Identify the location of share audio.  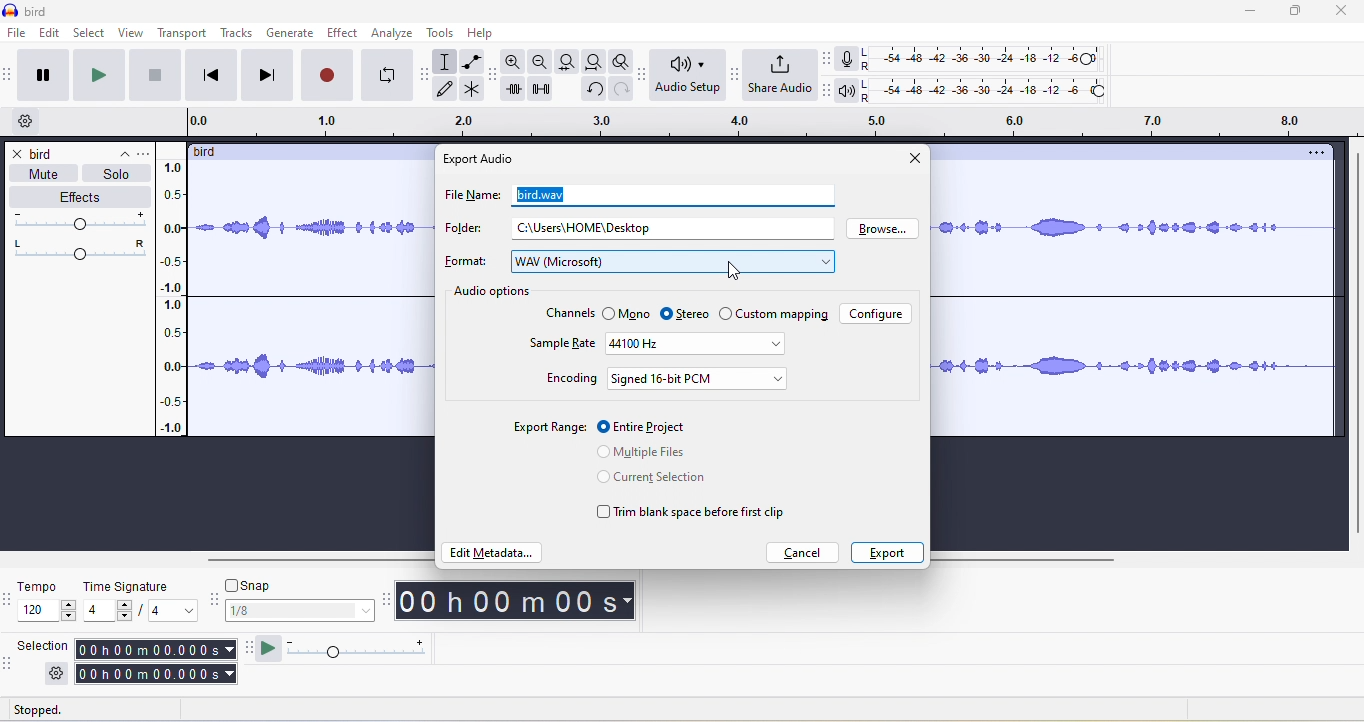
(778, 76).